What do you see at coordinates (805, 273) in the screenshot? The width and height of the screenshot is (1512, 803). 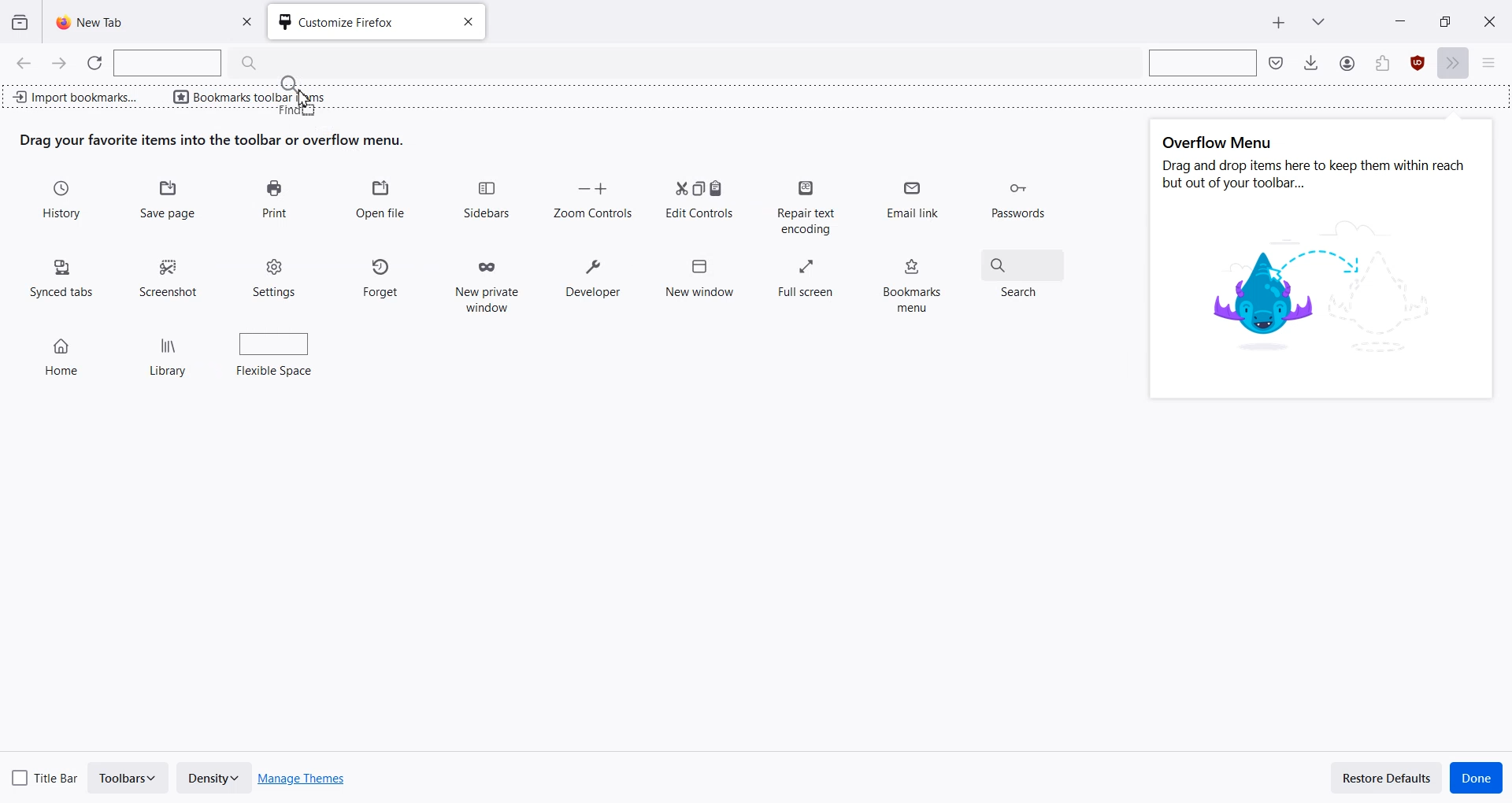 I see `Full screen` at bounding box center [805, 273].